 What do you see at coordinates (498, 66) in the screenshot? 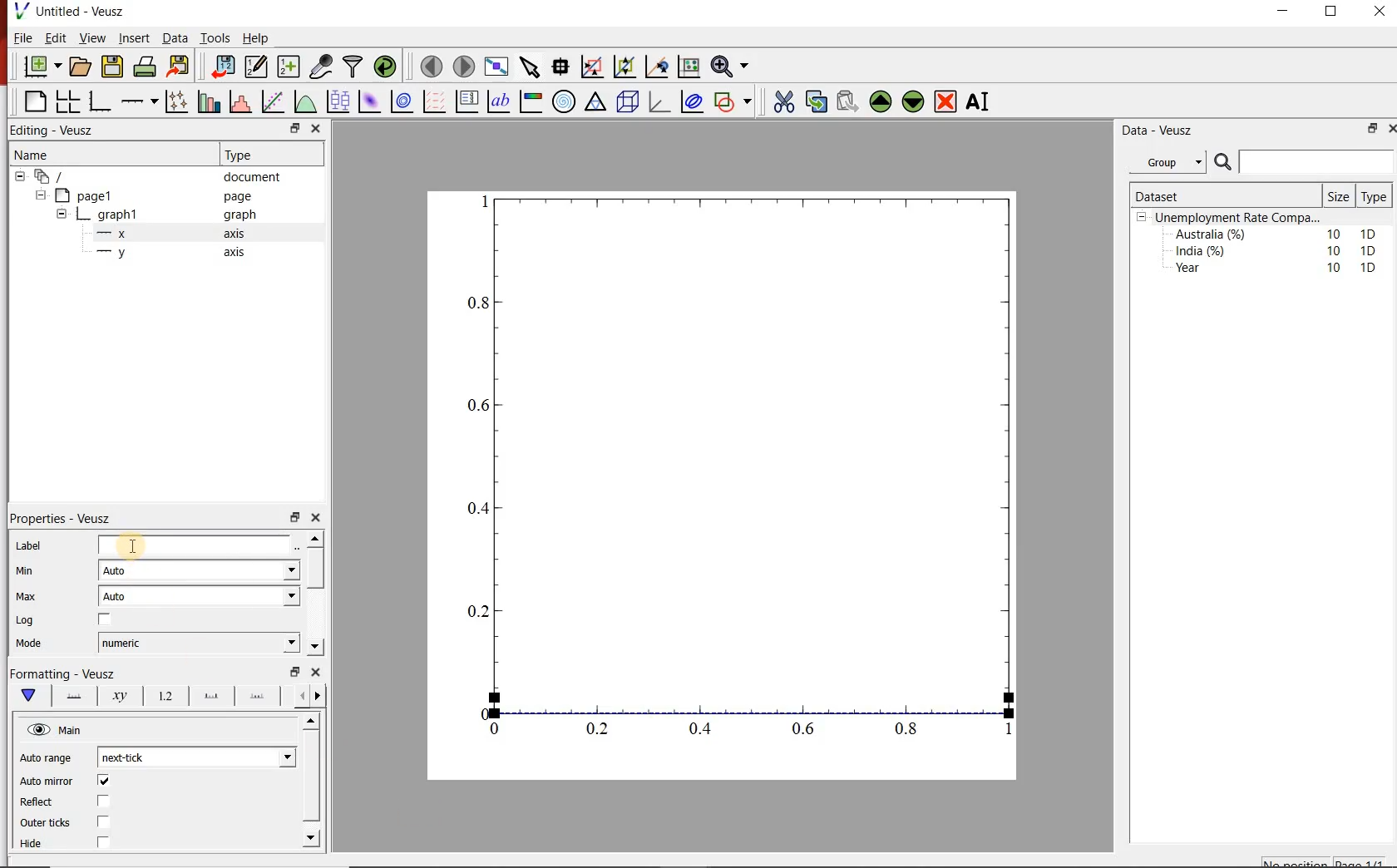
I see `view plot on full screen` at bounding box center [498, 66].